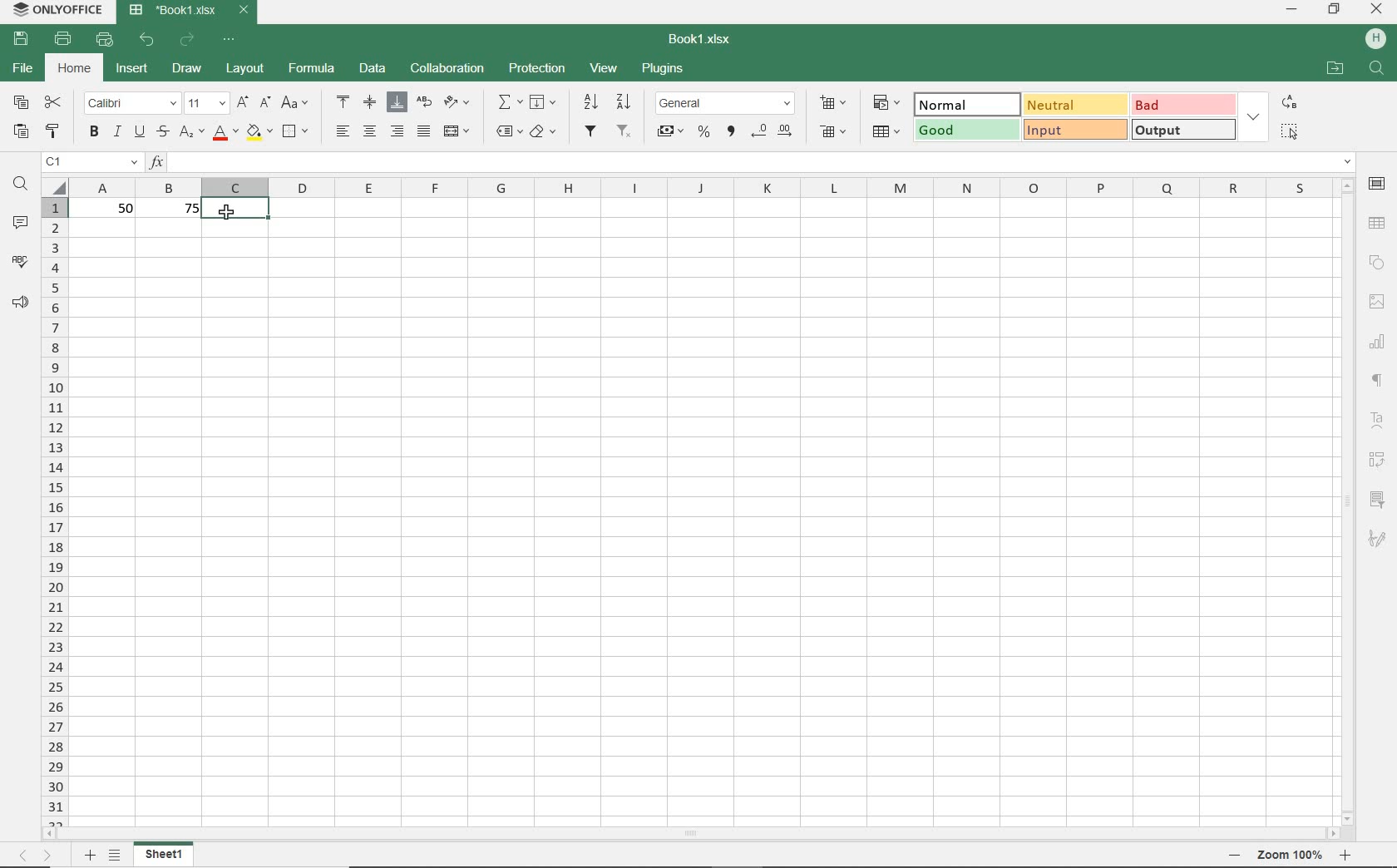  I want to click on align bottom, so click(394, 101).